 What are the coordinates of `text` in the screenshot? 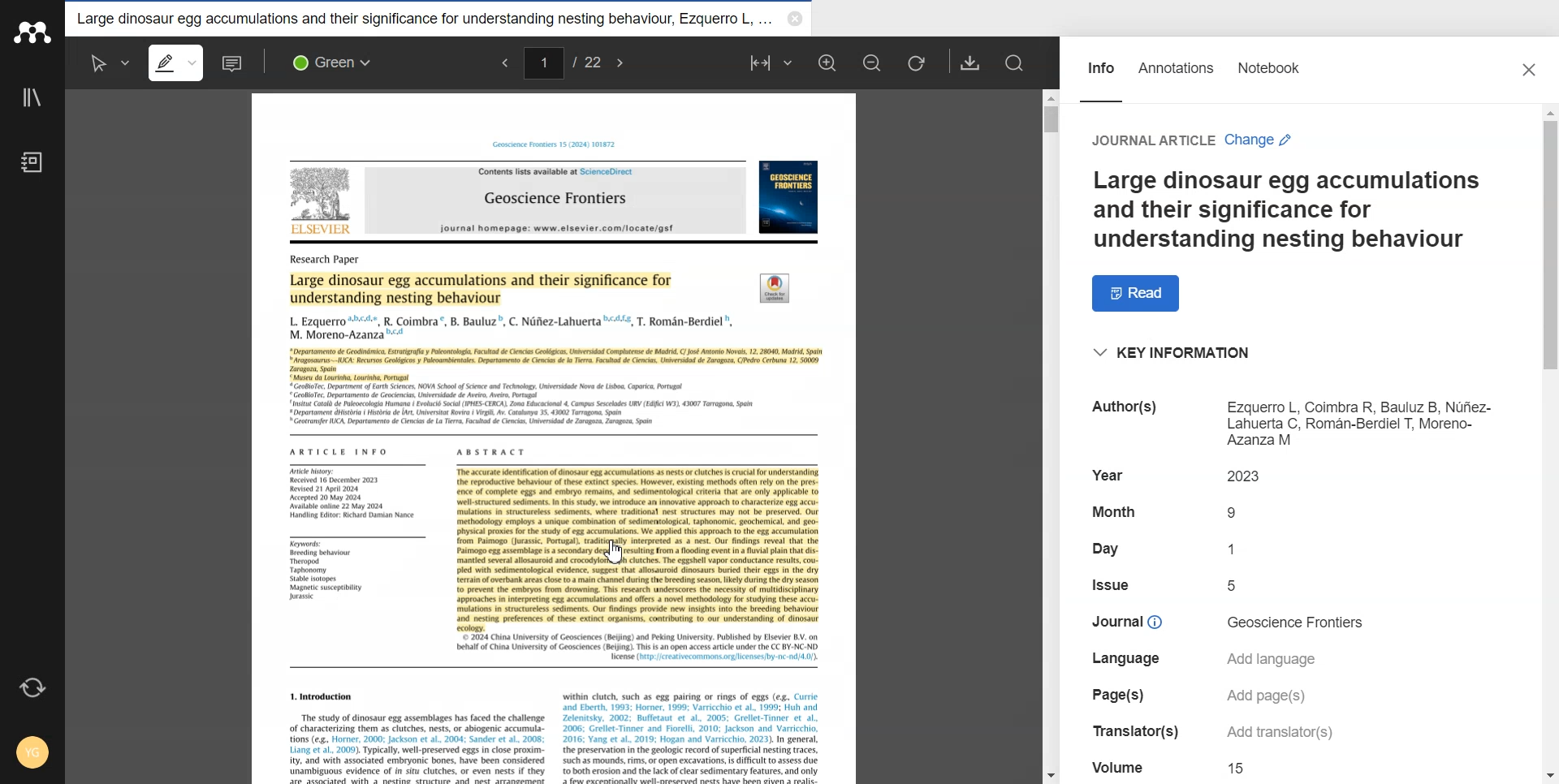 It's located at (1113, 549).